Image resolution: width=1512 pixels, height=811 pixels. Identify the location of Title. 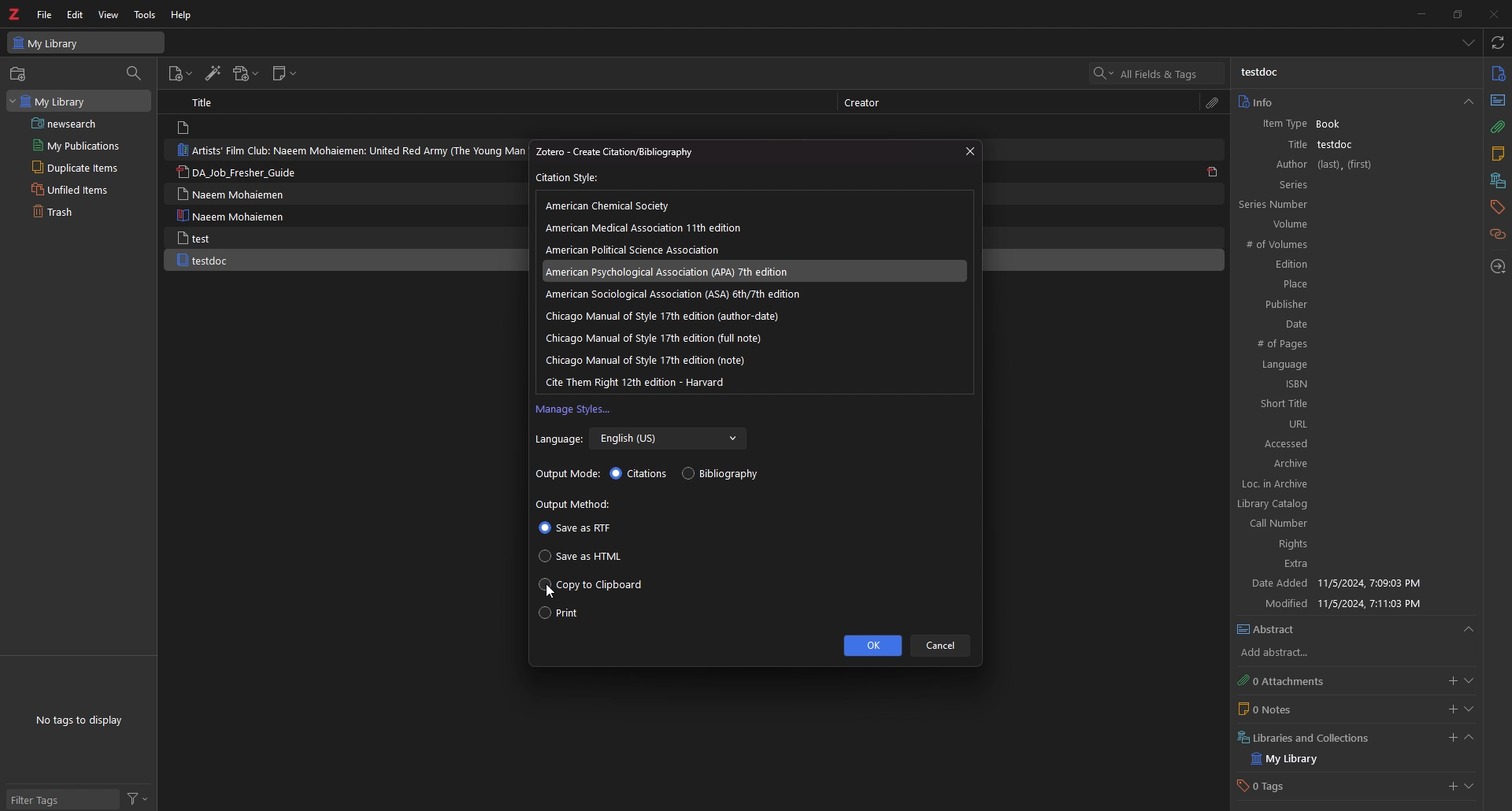
(1283, 144).